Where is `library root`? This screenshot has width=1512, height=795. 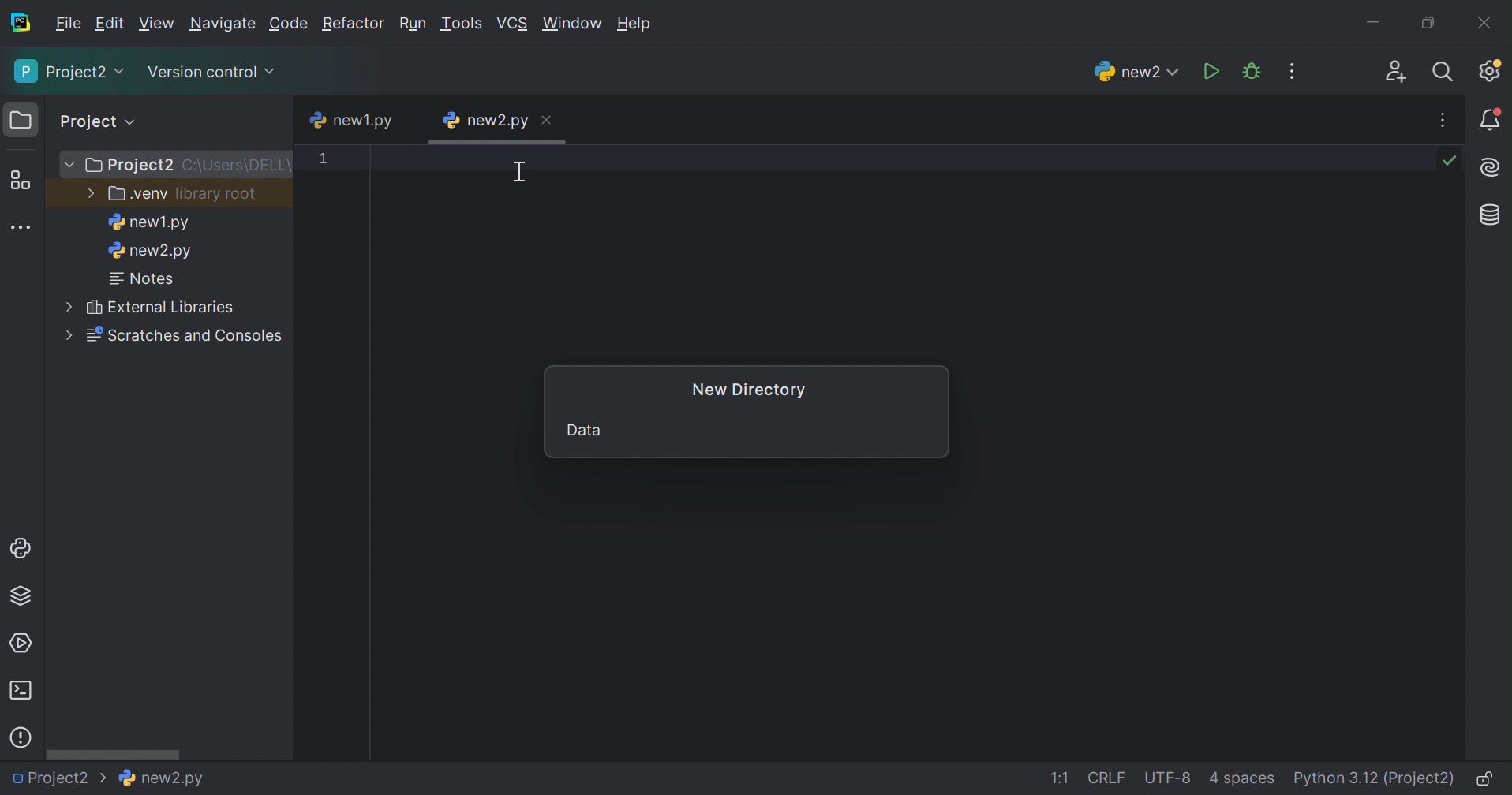
library root is located at coordinates (218, 195).